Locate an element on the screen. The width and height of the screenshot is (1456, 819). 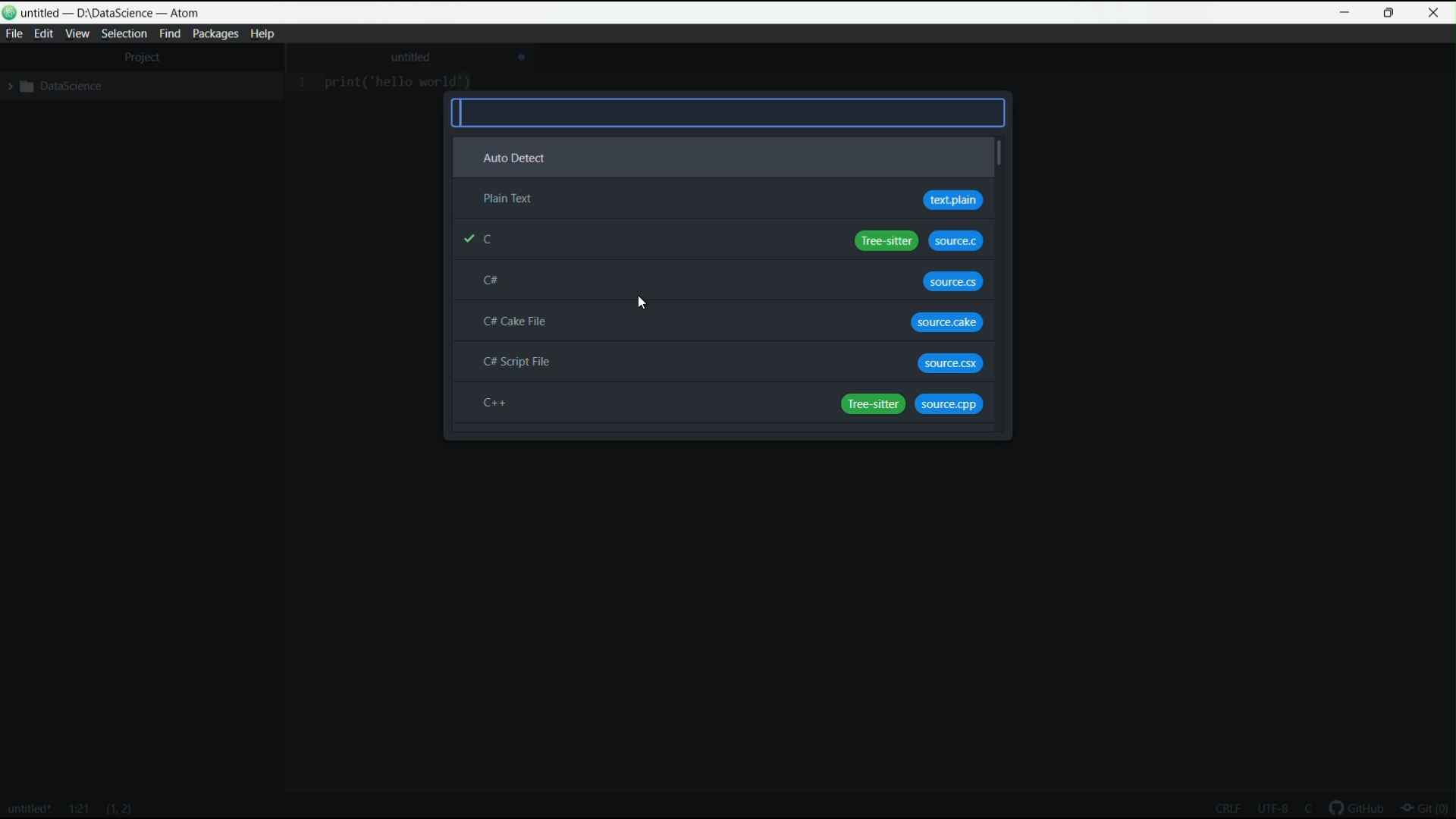
line and characters is located at coordinates (120, 810).